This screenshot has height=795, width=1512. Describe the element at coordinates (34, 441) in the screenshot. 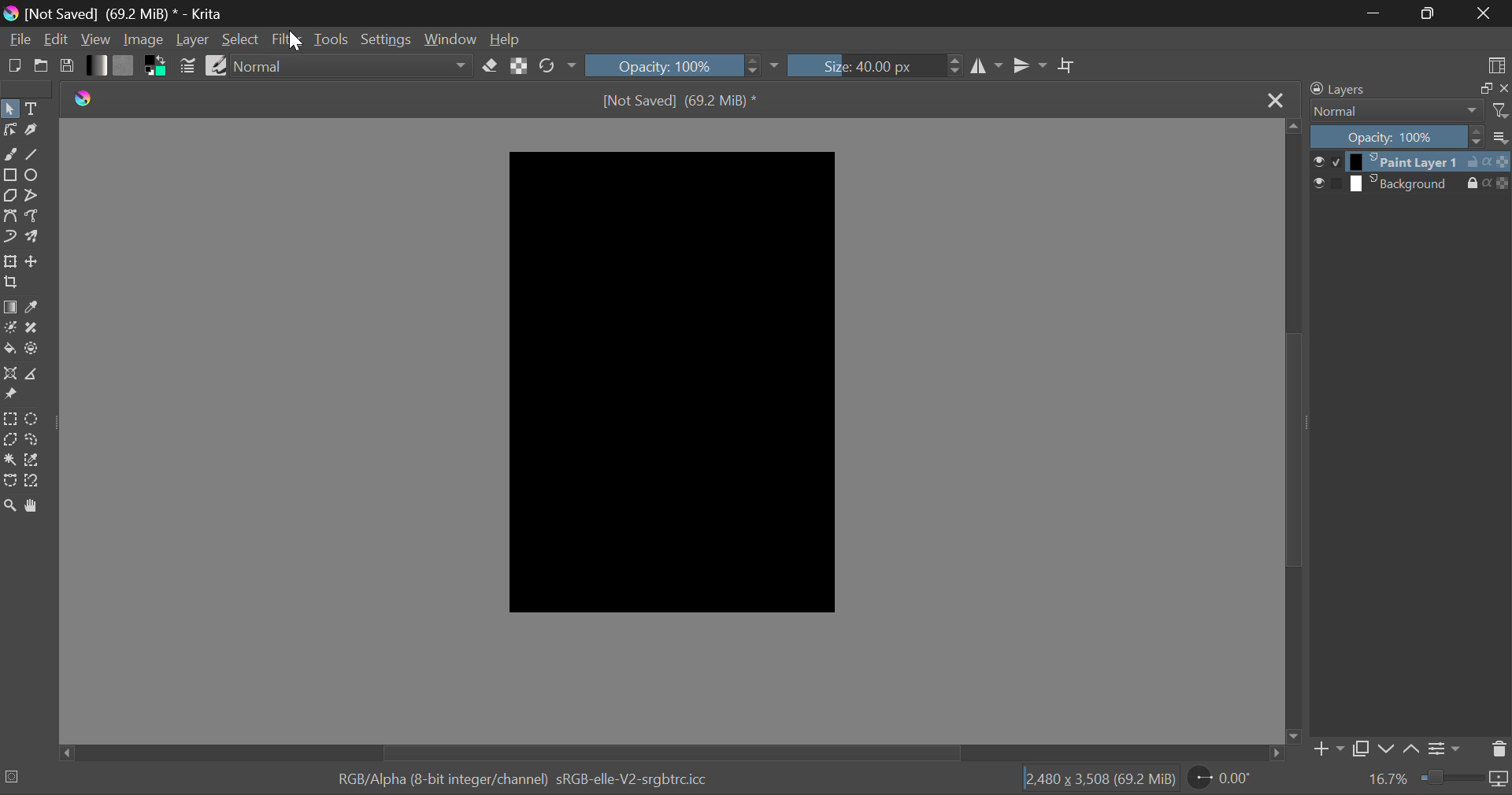

I see `Freehand Selection` at that location.